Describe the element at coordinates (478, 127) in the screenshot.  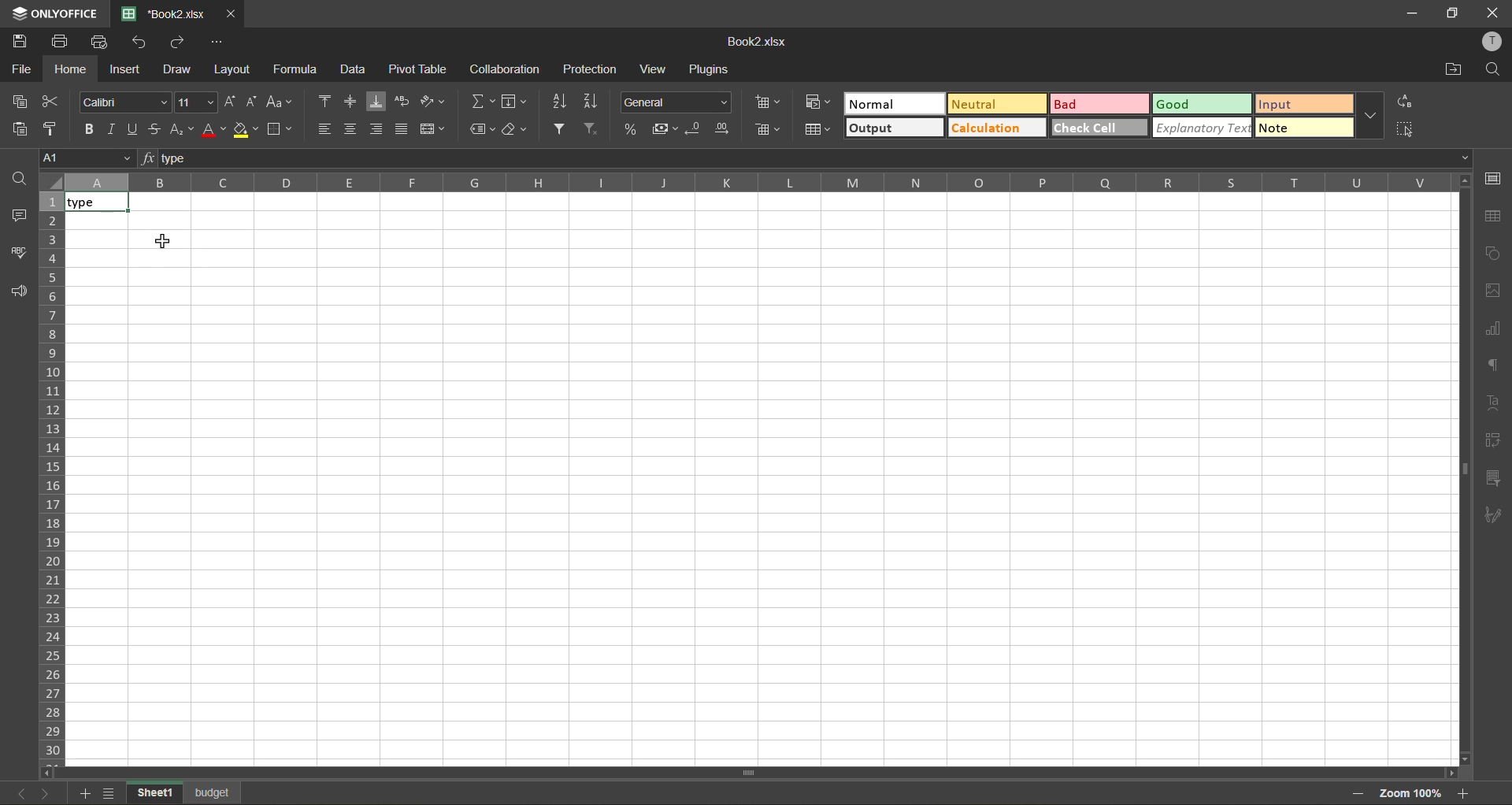
I see `named ranges` at that location.